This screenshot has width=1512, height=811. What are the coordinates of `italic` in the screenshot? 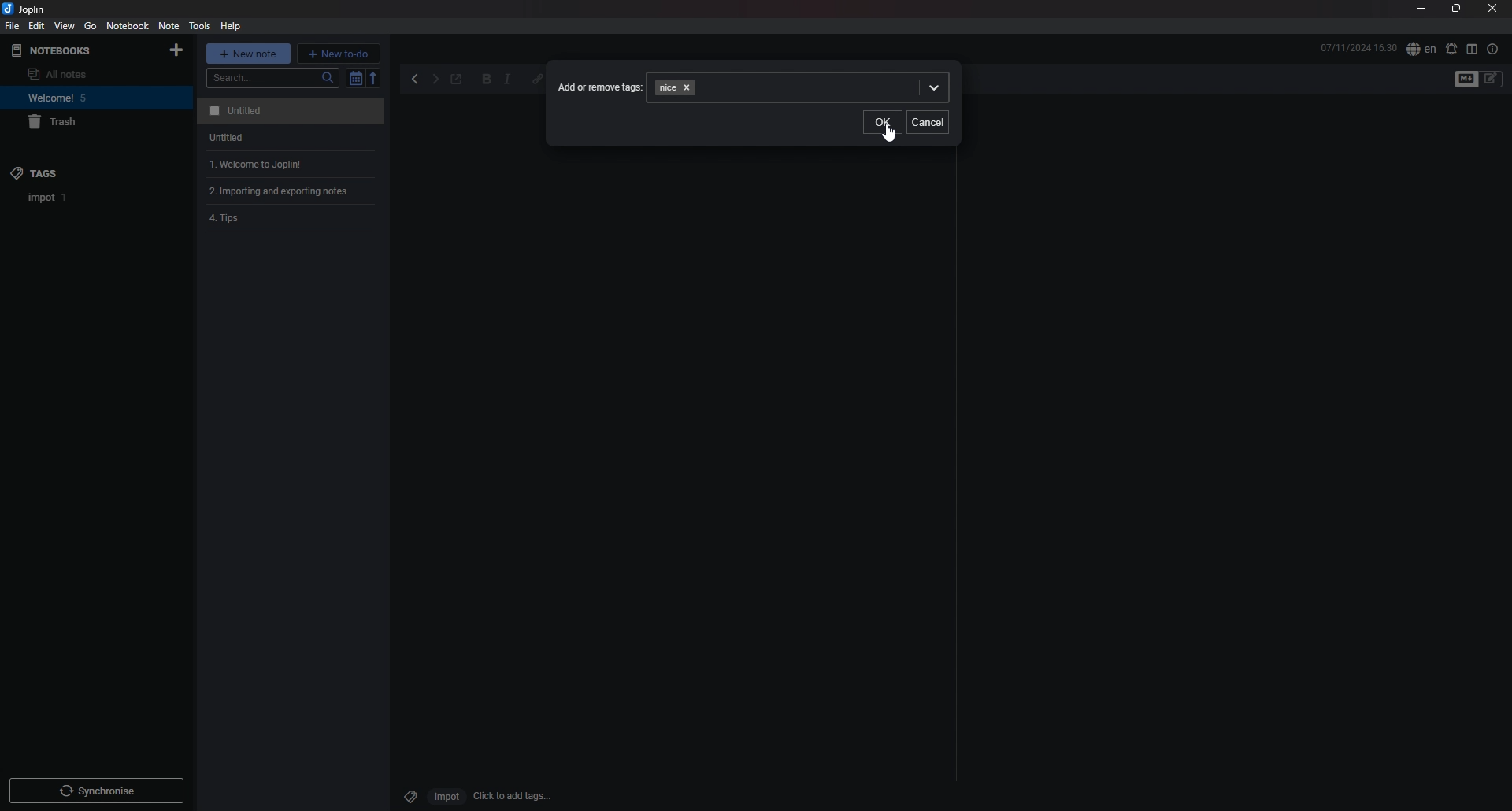 It's located at (507, 80).